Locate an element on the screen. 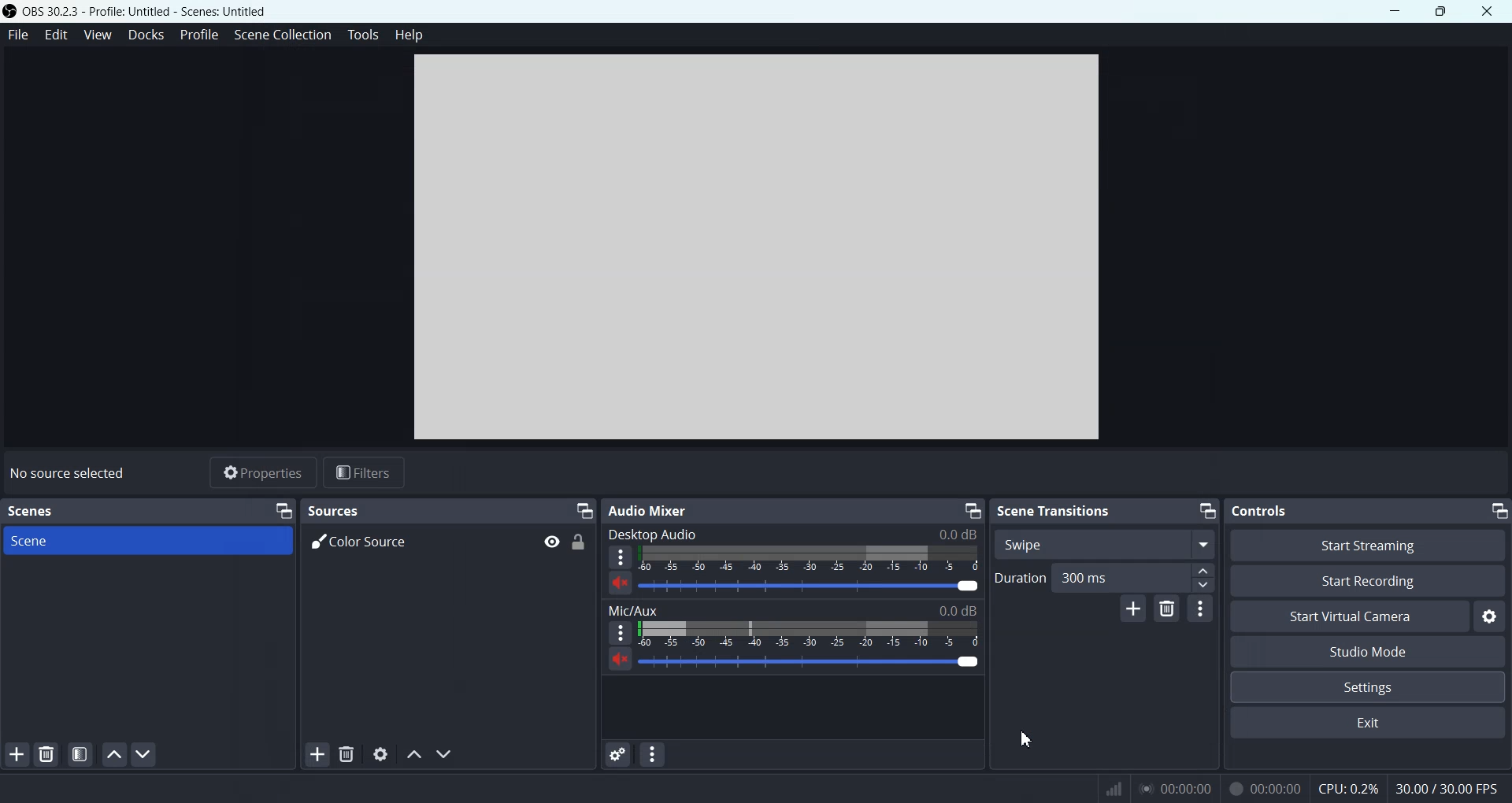 The width and height of the screenshot is (1512, 803). Remove Selected scene is located at coordinates (346, 754).